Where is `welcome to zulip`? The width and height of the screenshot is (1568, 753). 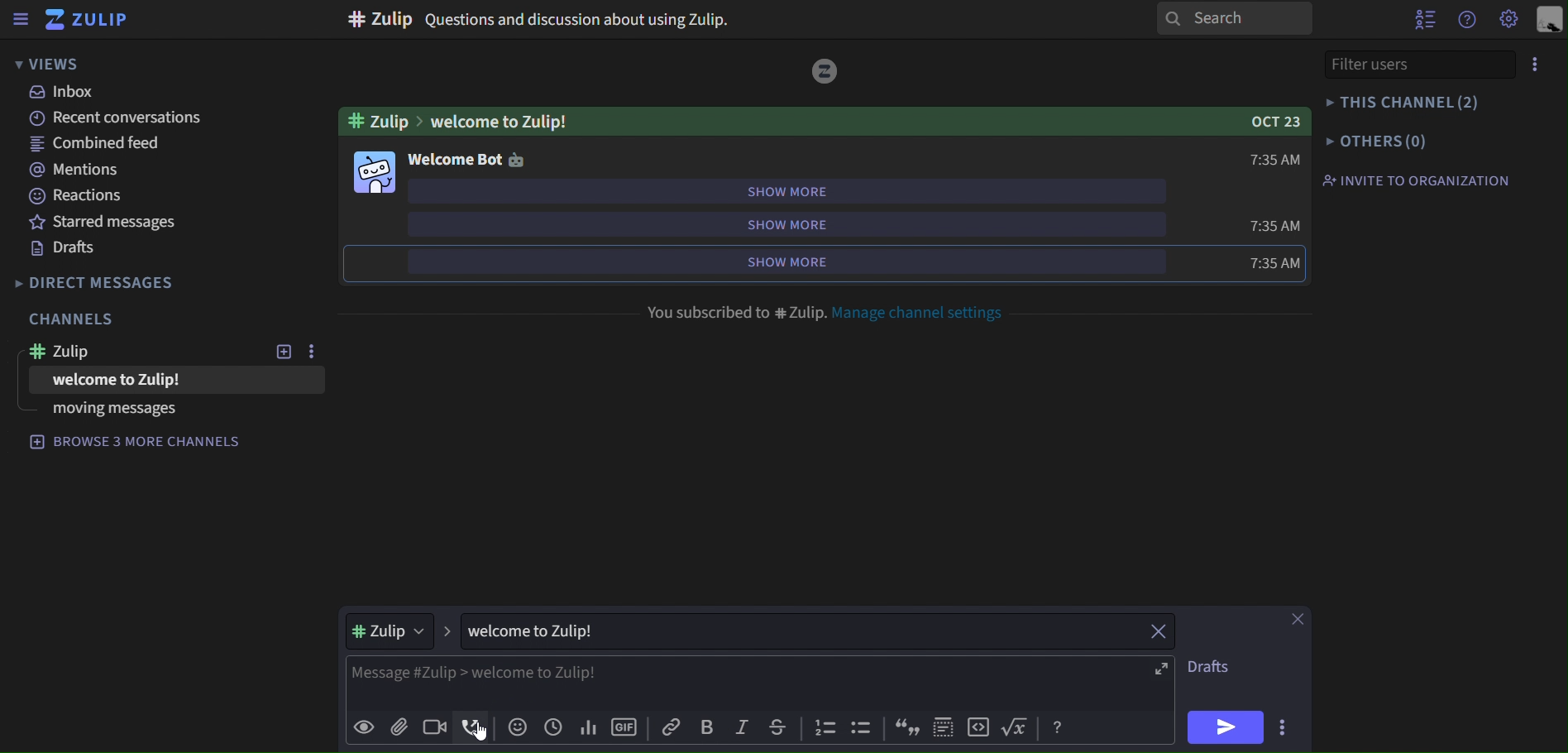
welcome to zulip is located at coordinates (541, 631).